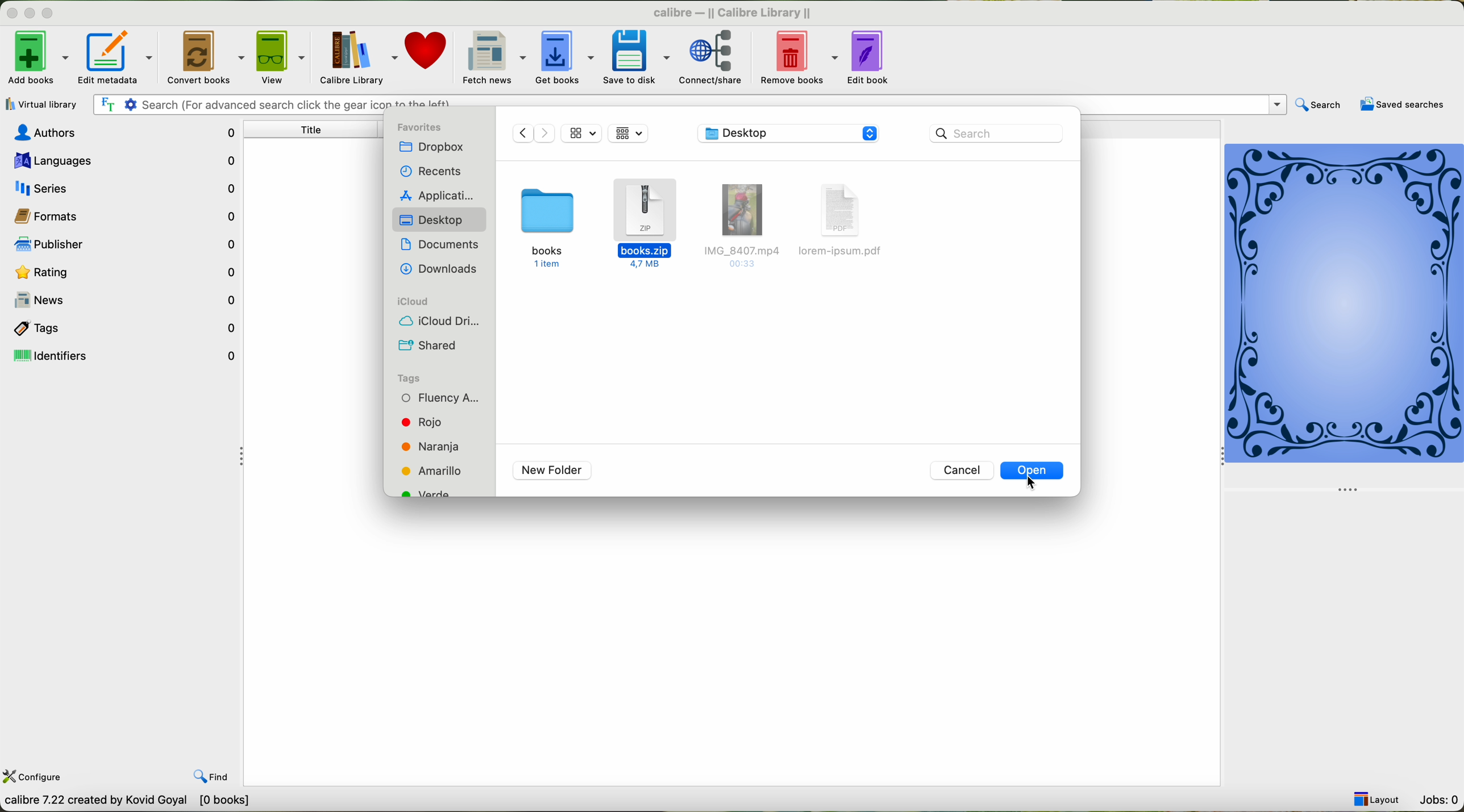 The height and width of the screenshot is (812, 1464). Describe the element at coordinates (842, 226) in the screenshot. I see `lorem-ipsum. pdf` at that location.